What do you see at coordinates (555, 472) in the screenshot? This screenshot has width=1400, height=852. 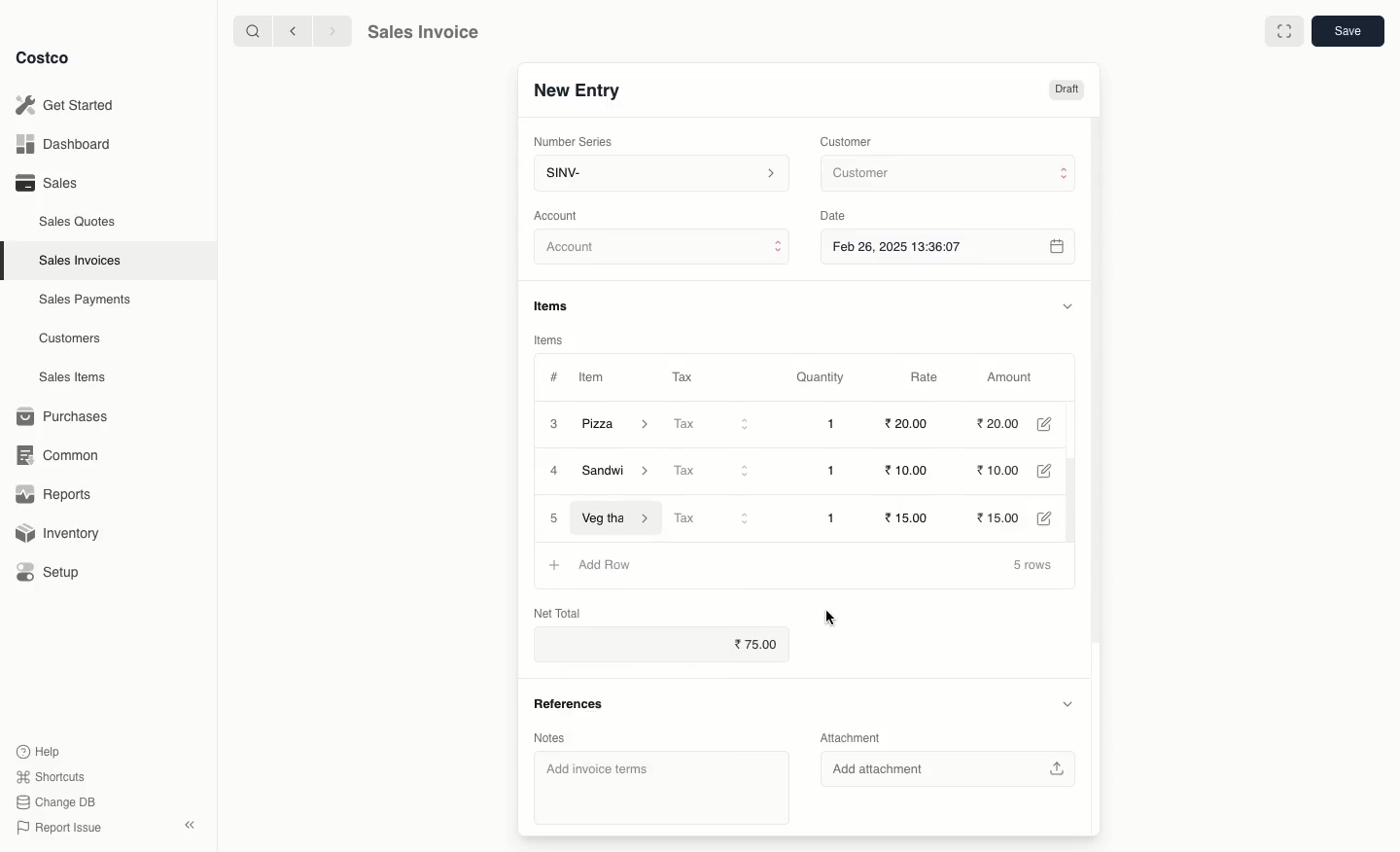 I see `4` at bounding box center [555, 472].